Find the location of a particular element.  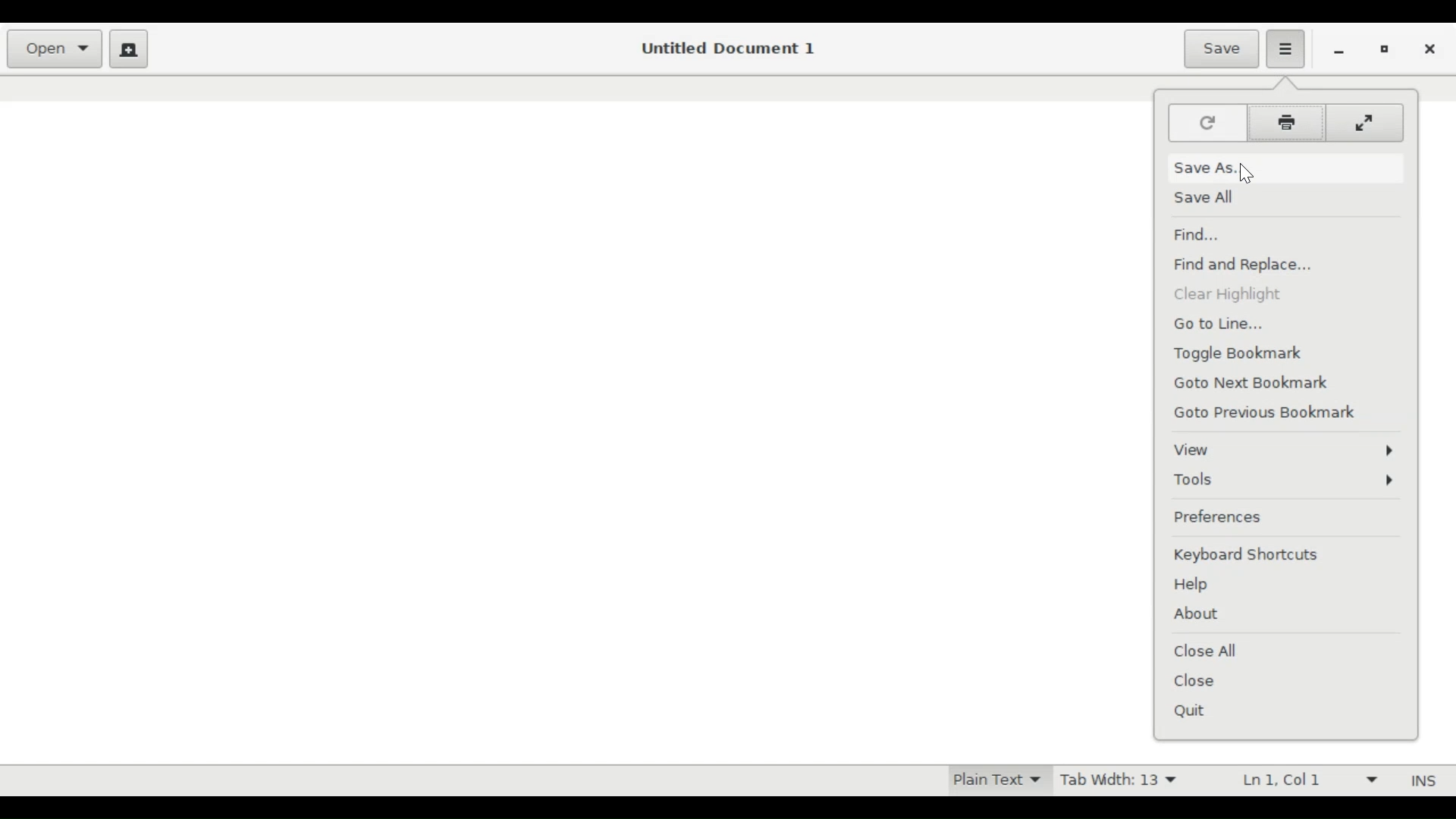

Cursor is located at coordinates (1253, 171).